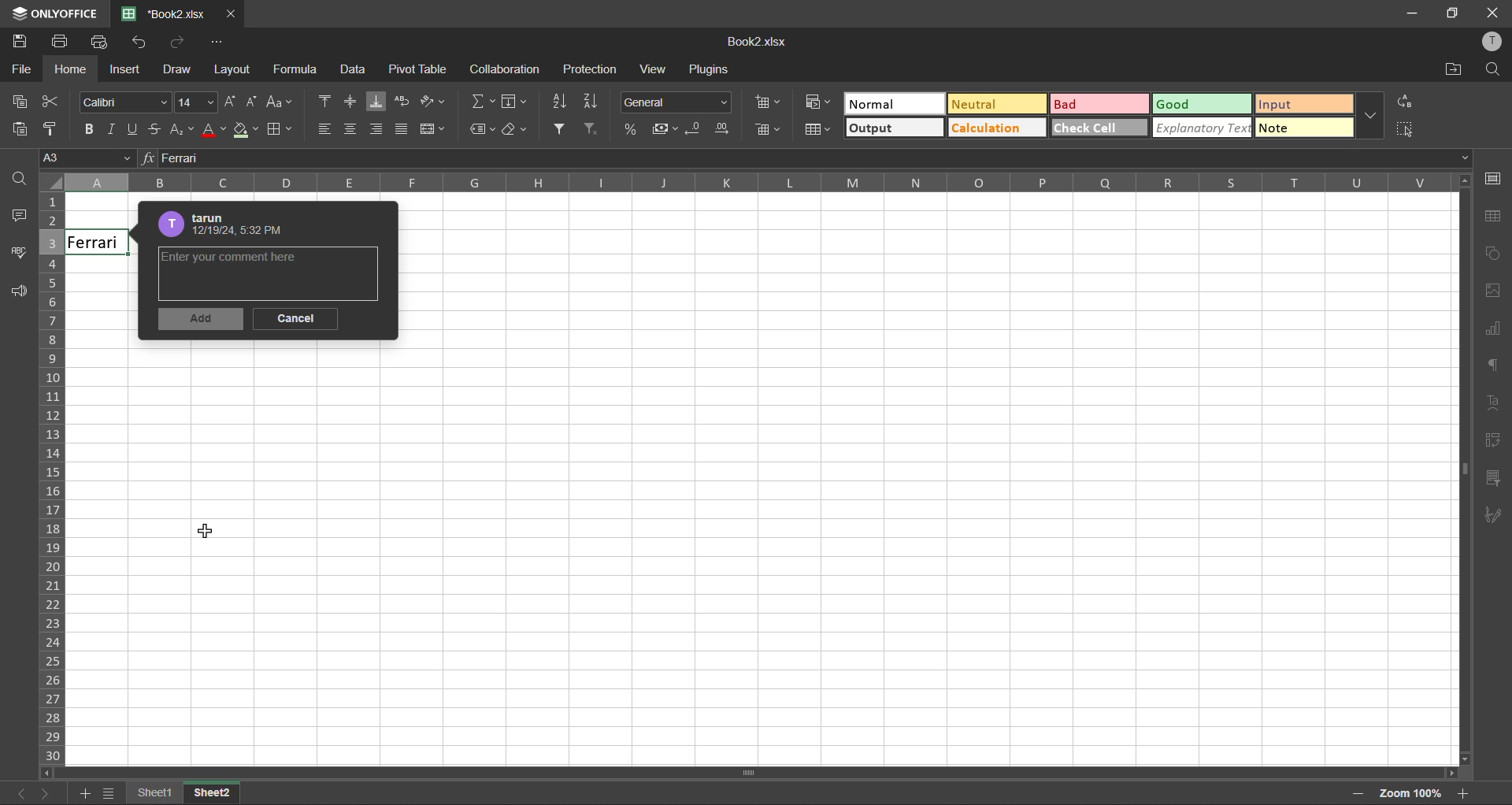 This screenshot has height=805, width=1512. Describe the element at coordinates (817, 101) in the screenshot. I see `conditional formatting` at that location.